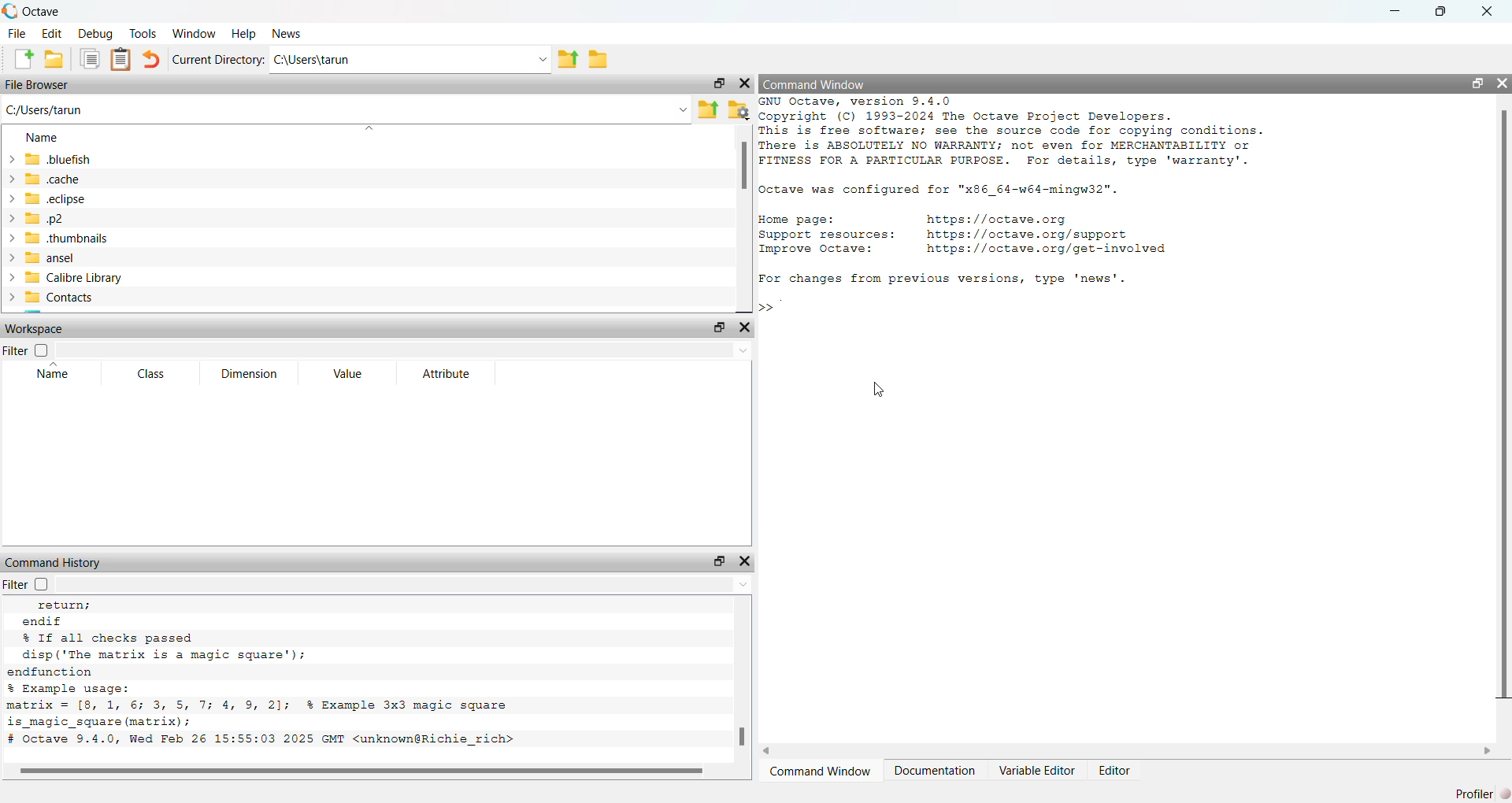 This screenshot has width=1512, height=803. What do you see at coordinates (91, 59) in the screenshot?
I see `Duplicate` at bounding box center [91, 59].